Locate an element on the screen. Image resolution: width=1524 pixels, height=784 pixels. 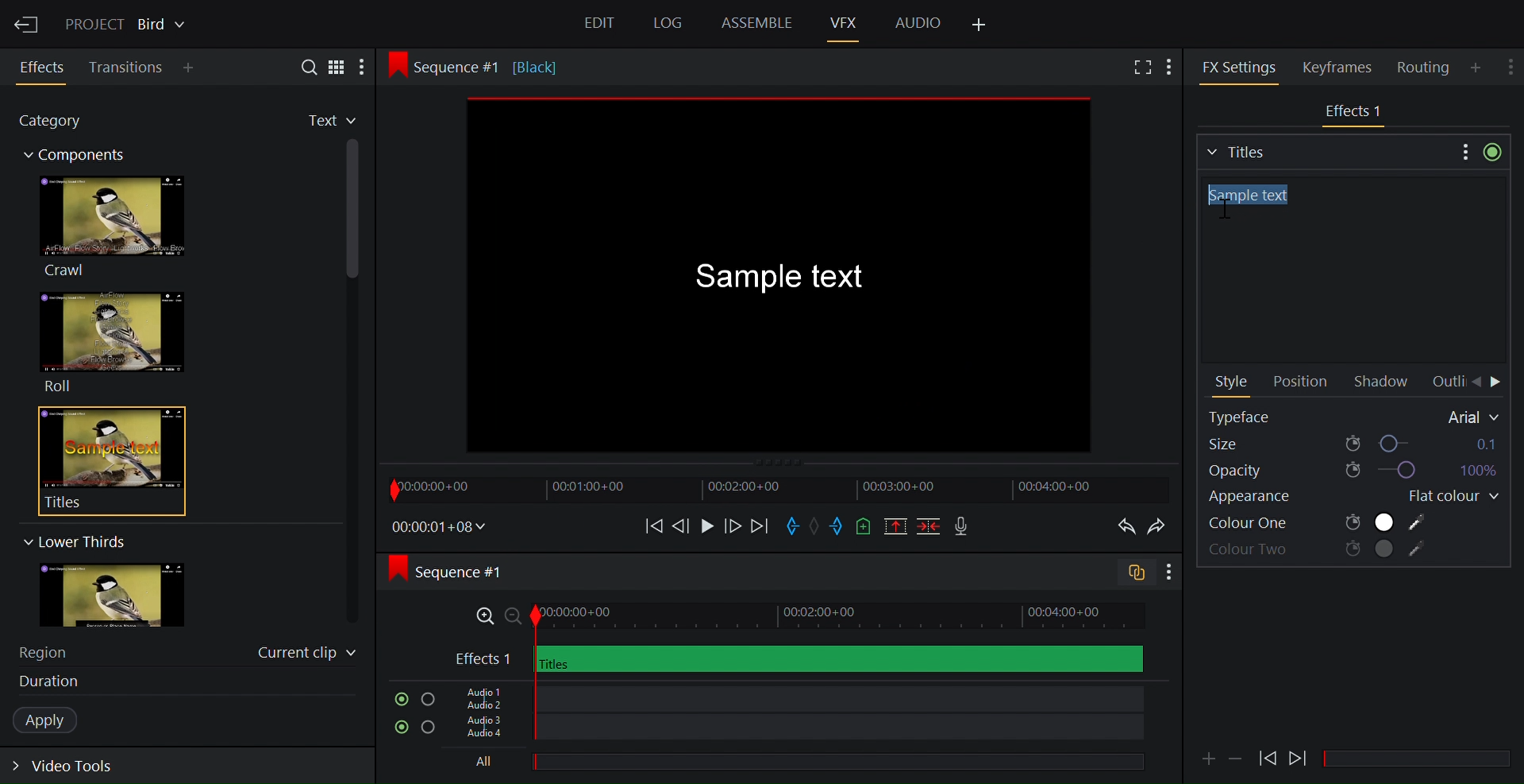
Move backward is located at coordinates (648, 525).